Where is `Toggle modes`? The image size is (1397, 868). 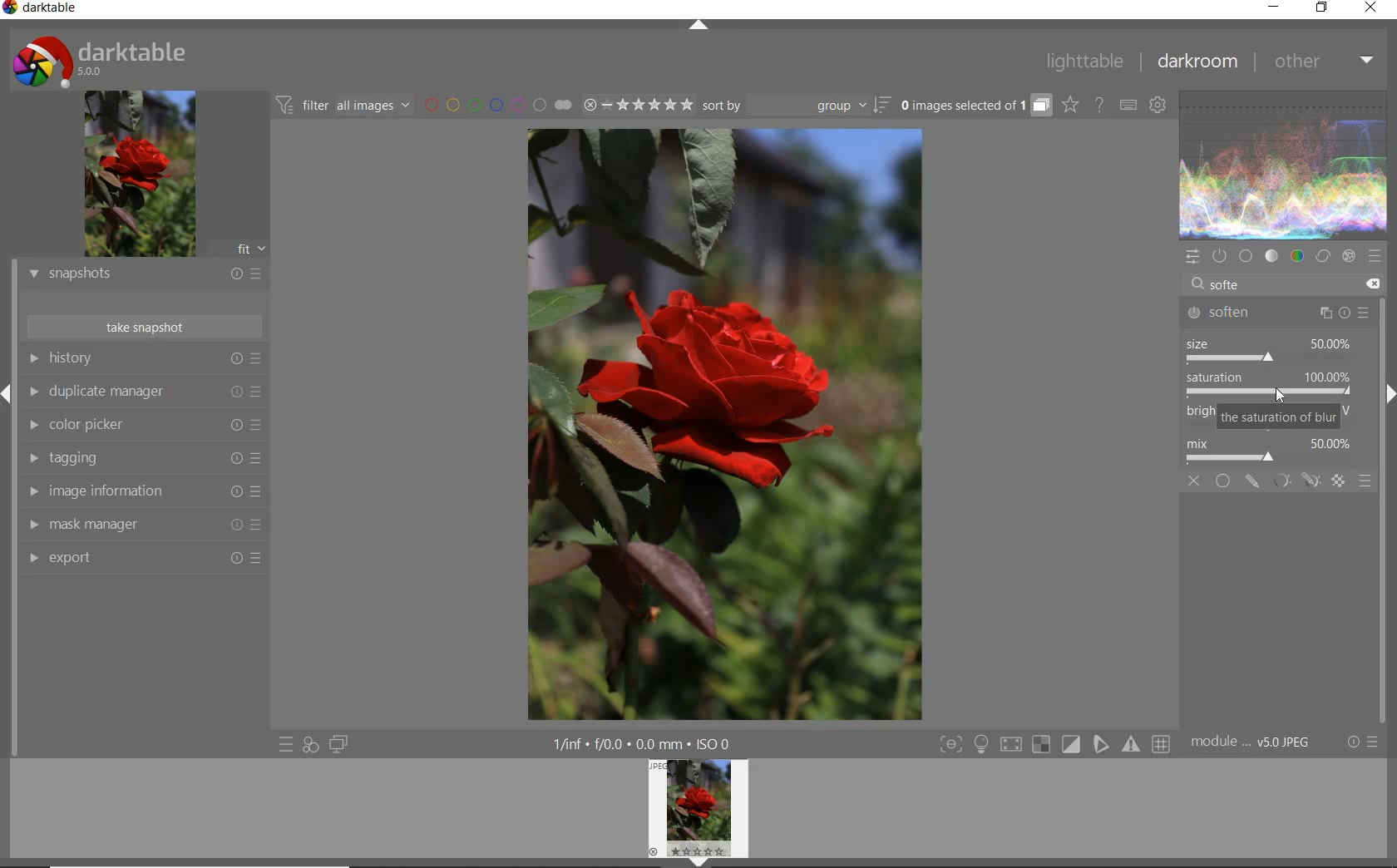 Toggle modes is located at coordinates (1052, 744).